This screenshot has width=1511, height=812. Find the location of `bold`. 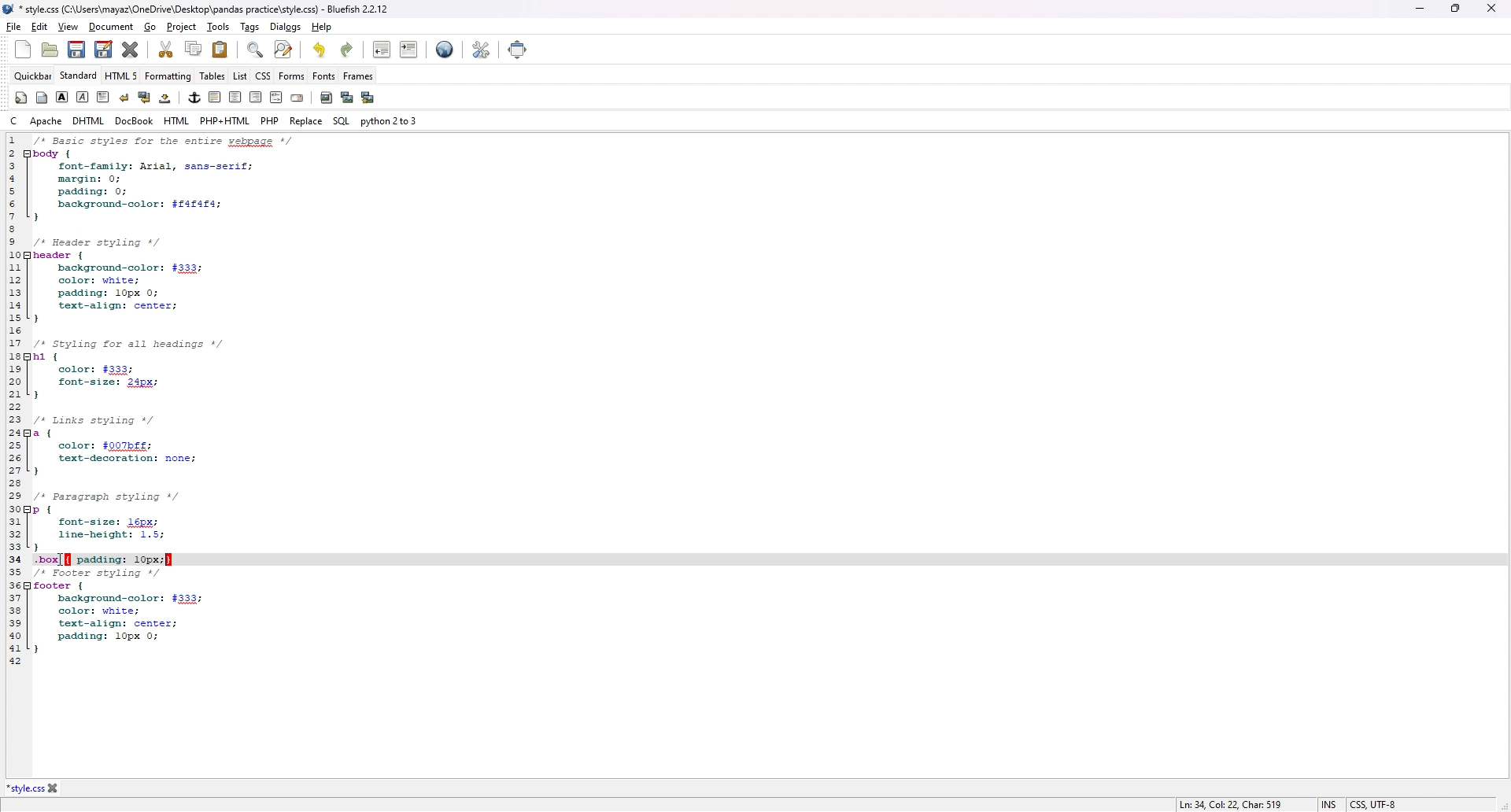

bold is located at coordinates (63, 98).